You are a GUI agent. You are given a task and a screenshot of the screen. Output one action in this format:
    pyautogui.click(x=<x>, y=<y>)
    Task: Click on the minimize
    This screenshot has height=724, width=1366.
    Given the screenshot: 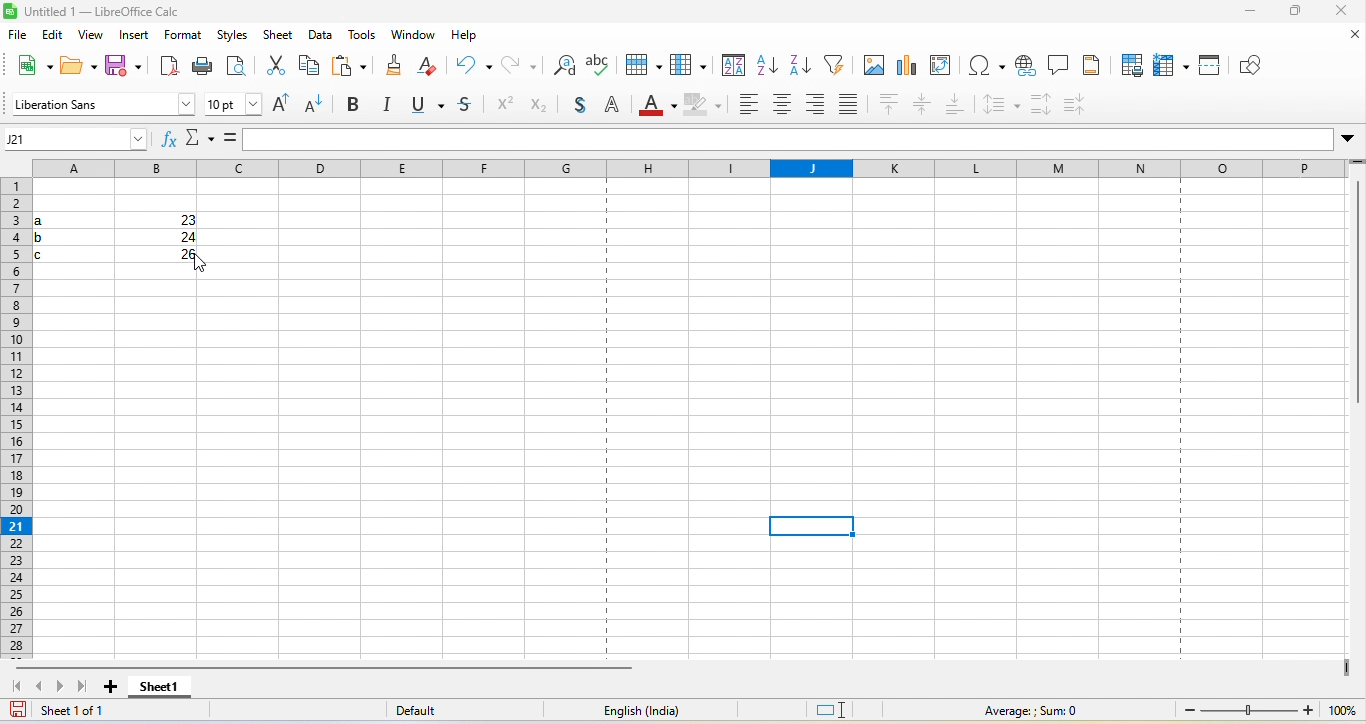 What is the action you would take?
    pyautogui.click(x=1244, y=13)
    